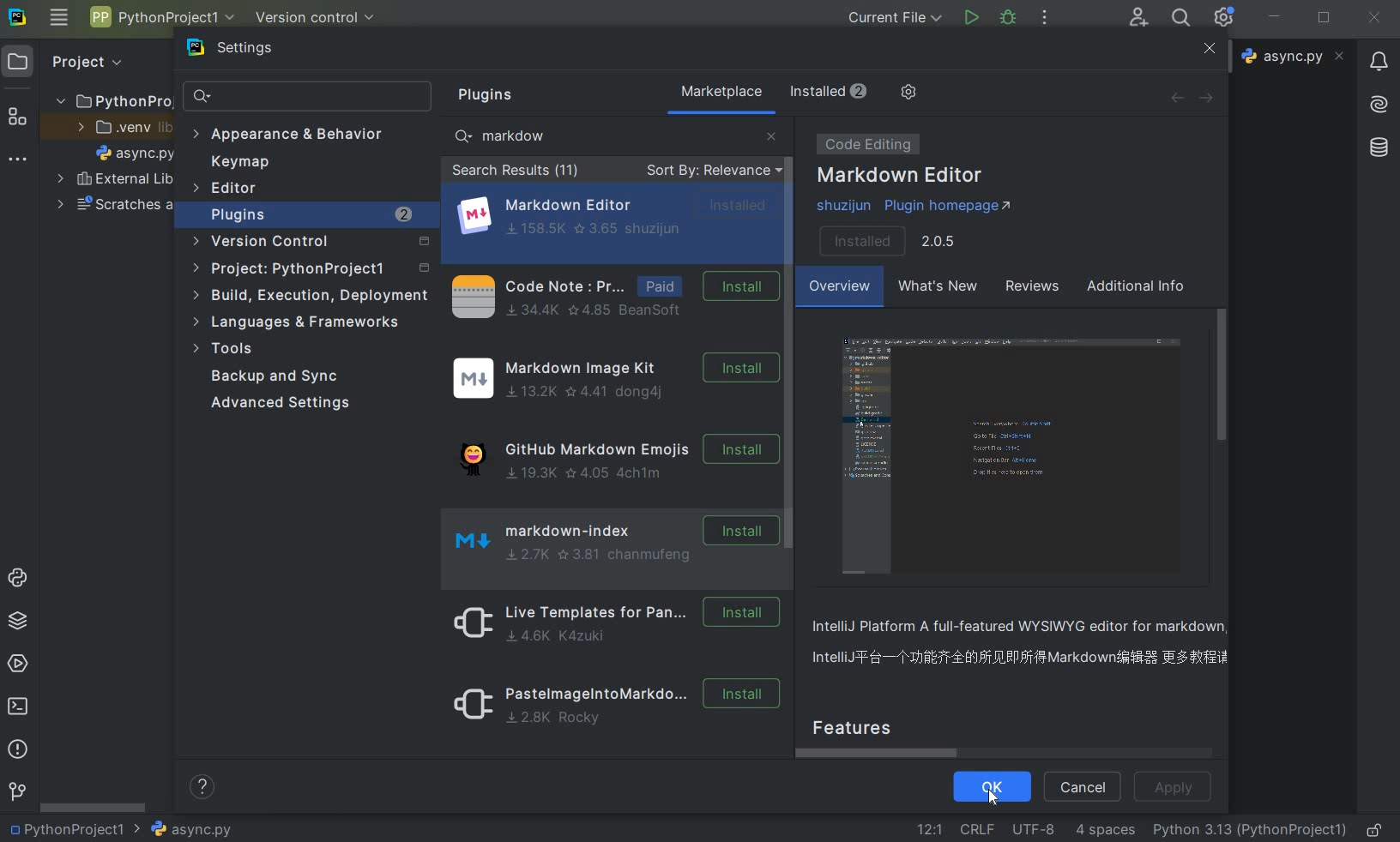 Image resolution: width=1400 pixels, height=842 pixels. Describe the element at coordinates (930, 827) in the screenshot. I see `go to line` at that location.